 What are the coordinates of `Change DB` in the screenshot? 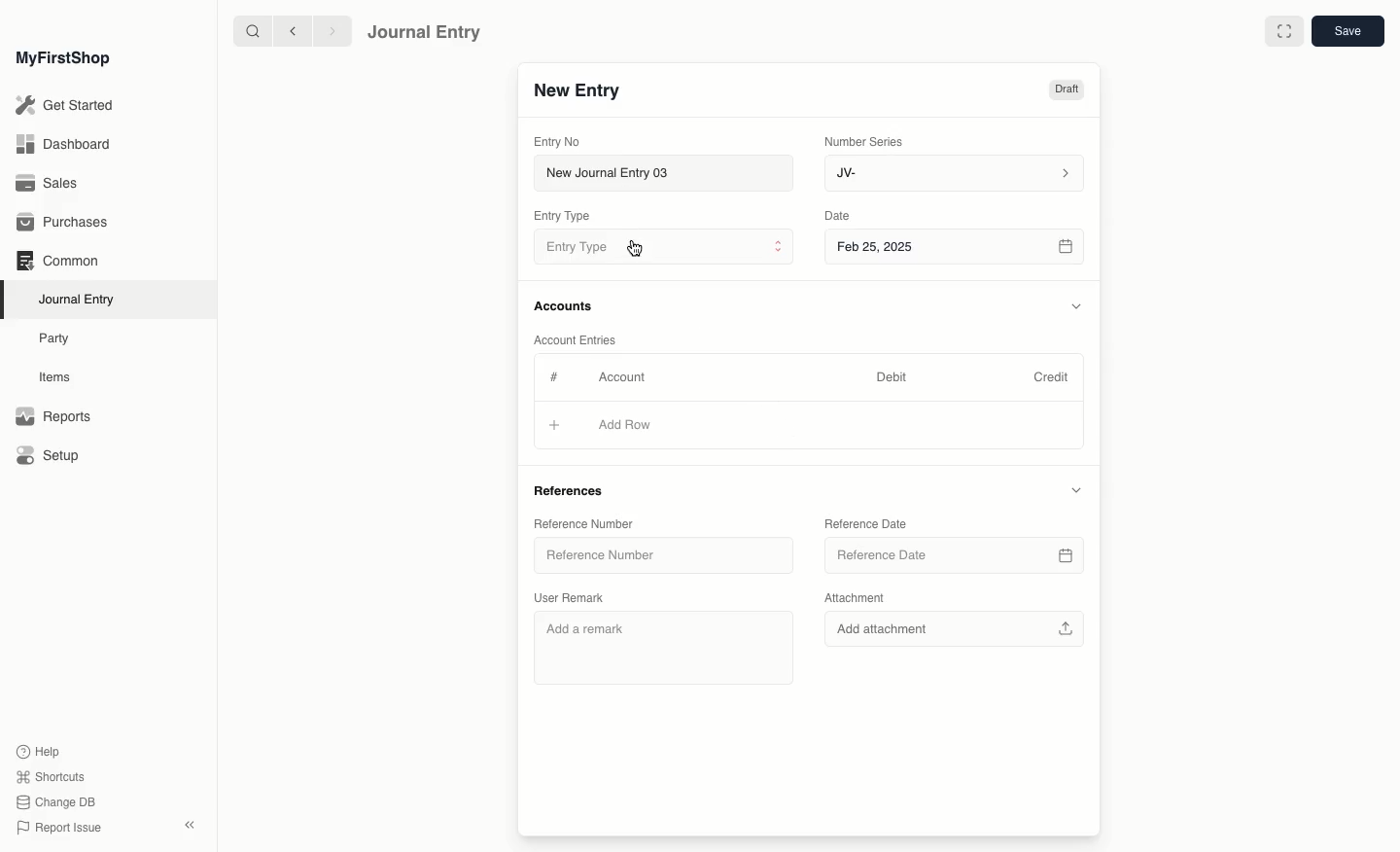 It's located at (56, 803).